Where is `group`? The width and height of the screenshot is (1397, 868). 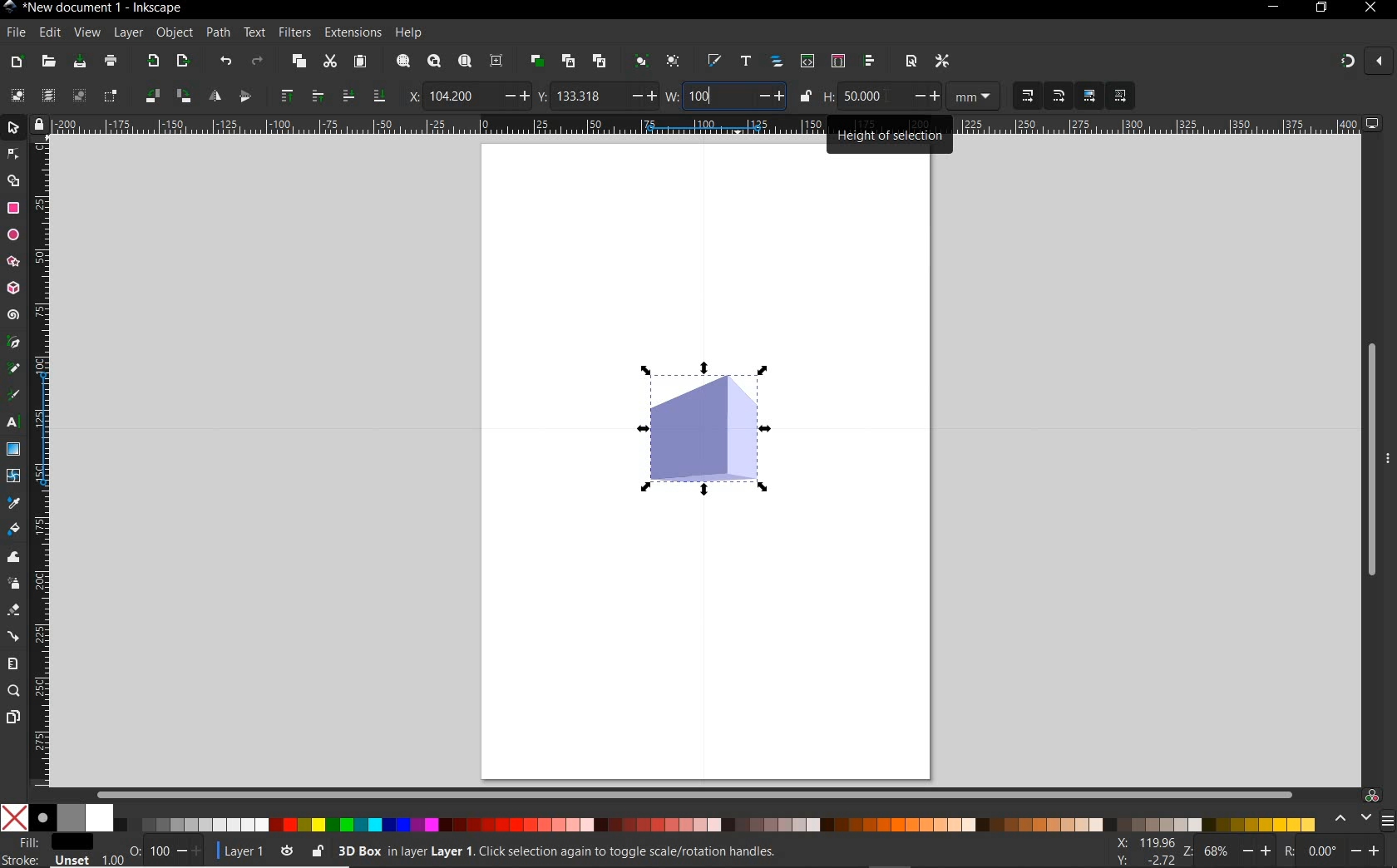 group is located at coordinates (639, 60).